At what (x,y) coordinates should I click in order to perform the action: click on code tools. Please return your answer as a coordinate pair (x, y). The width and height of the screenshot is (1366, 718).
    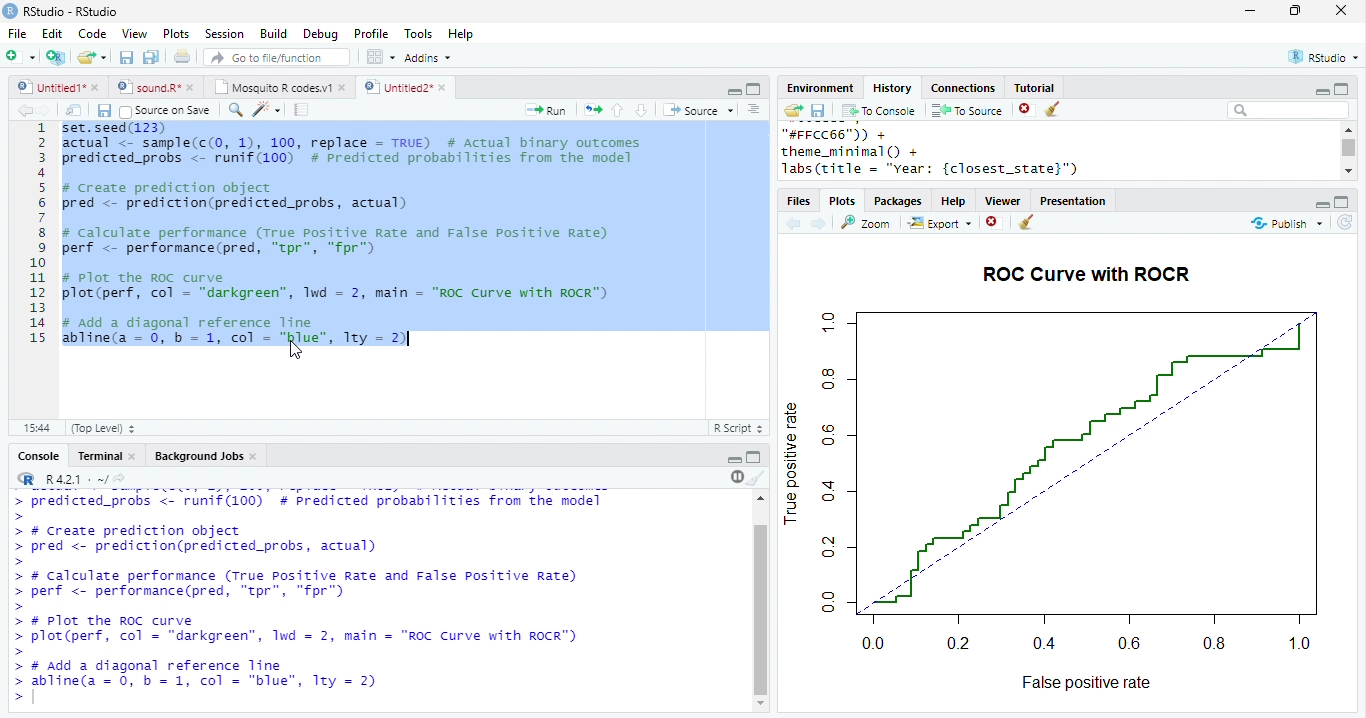
    Looking at the image, I should click on (267, 109).